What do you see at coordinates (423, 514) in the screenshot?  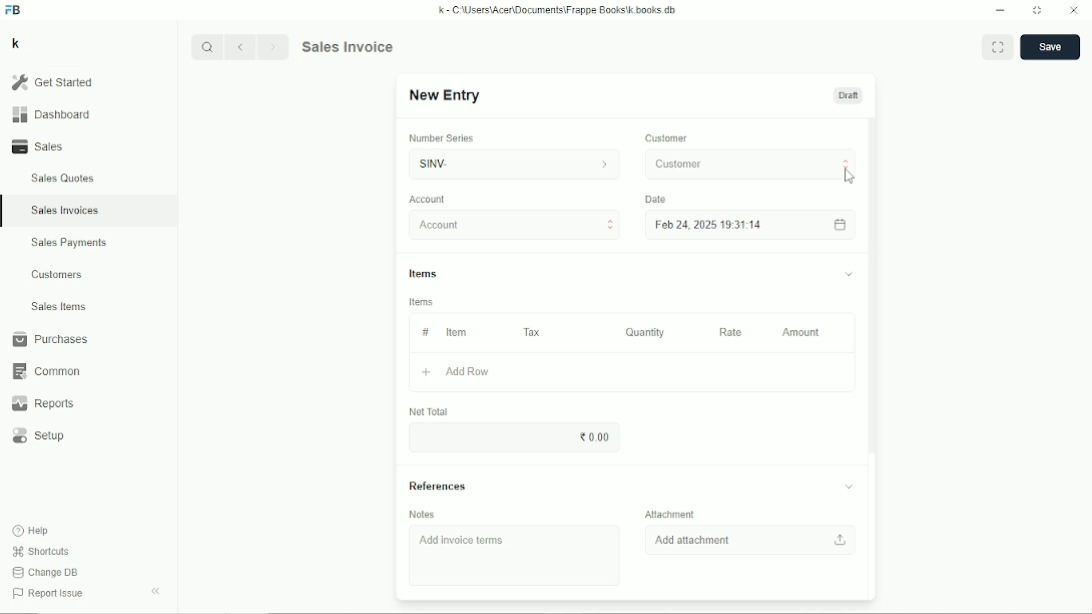 I see `Notes` at bounding box center [423, 514].